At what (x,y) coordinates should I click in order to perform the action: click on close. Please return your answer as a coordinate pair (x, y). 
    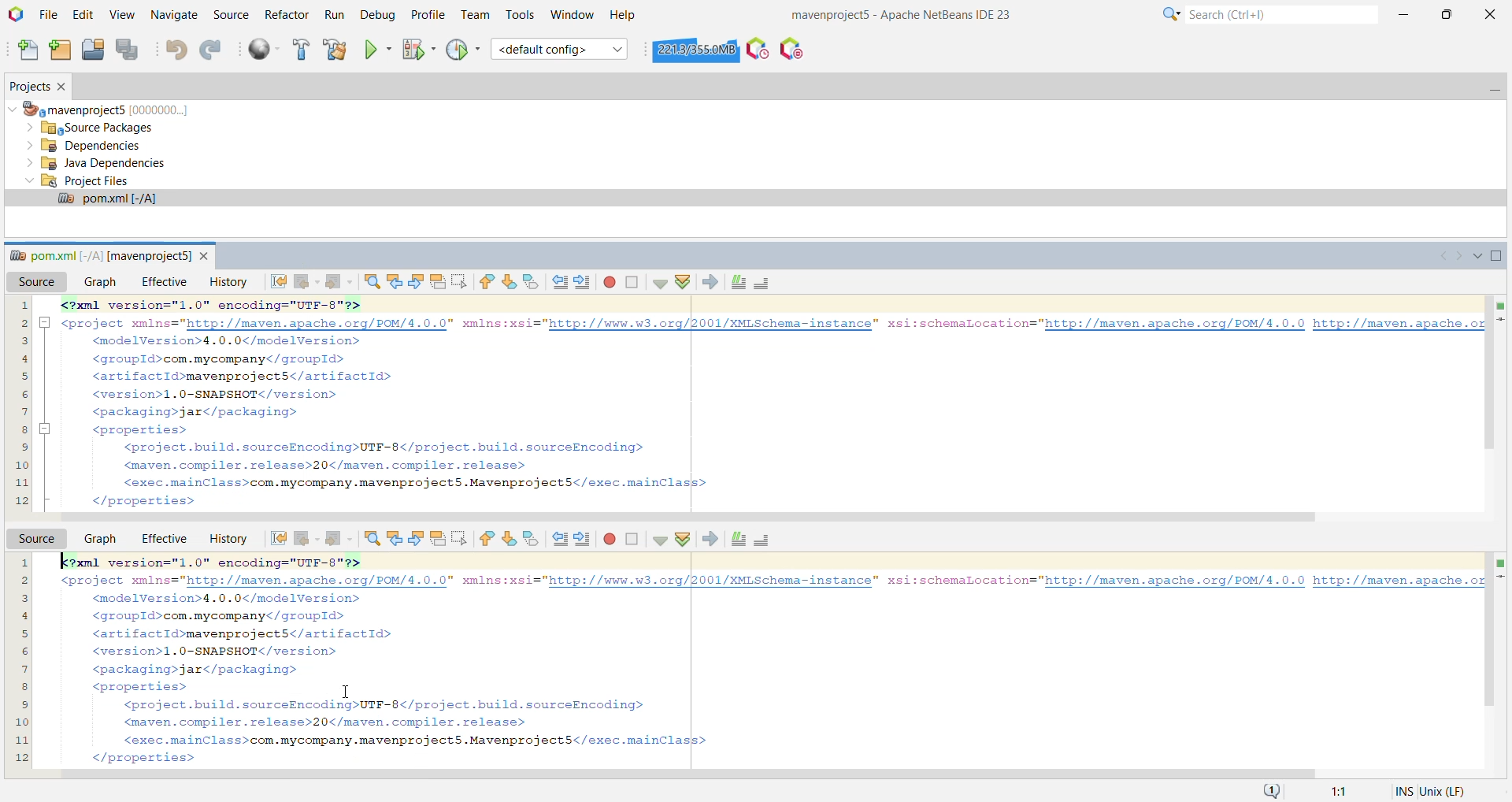
    Looking at the image, I should click on (206, 256).